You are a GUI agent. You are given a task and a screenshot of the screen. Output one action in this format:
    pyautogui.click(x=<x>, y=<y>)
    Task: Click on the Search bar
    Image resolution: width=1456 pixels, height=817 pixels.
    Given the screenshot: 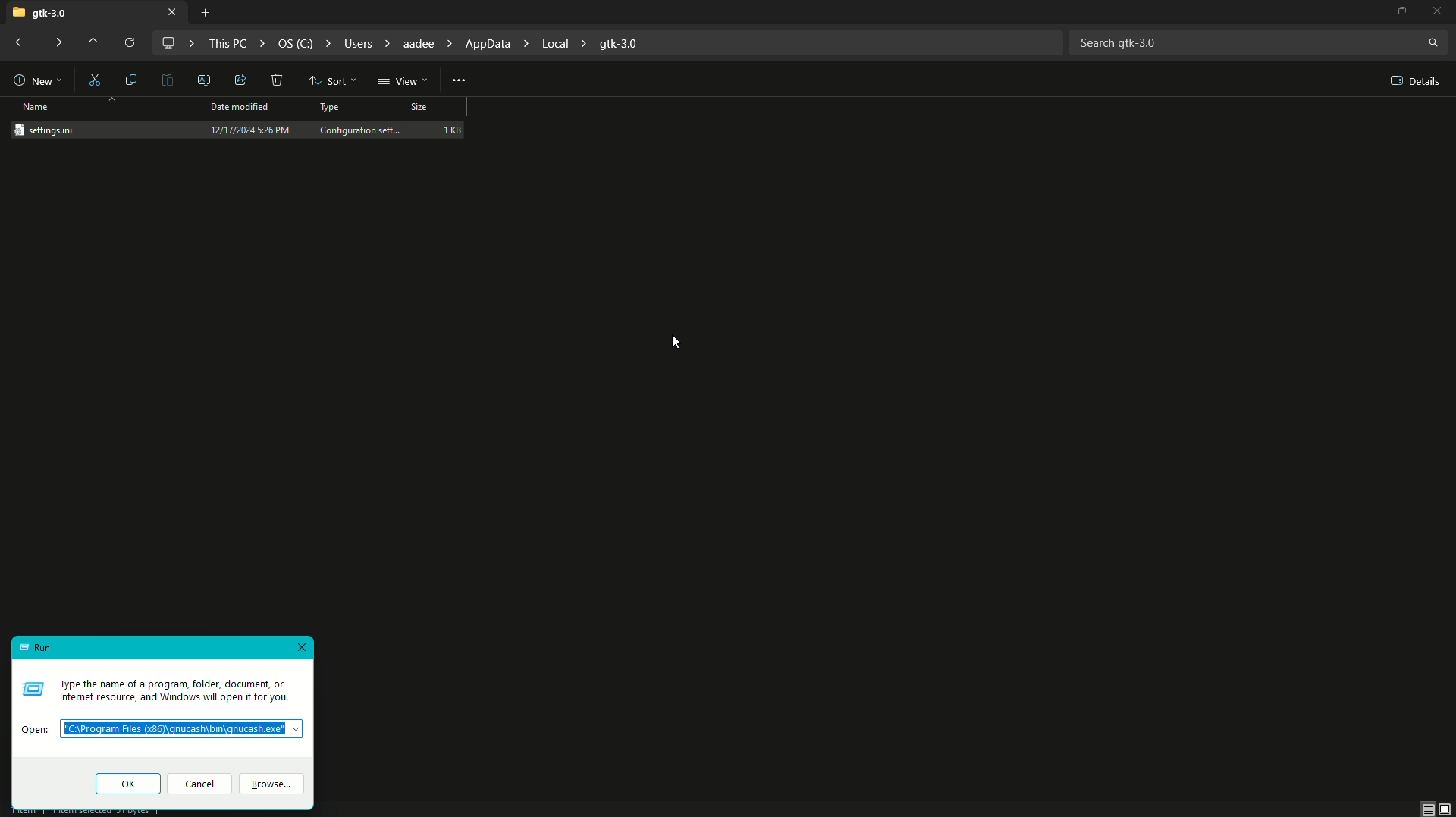 What is the action you would take?
    pyautogui.click(x=1258, y=41)
    